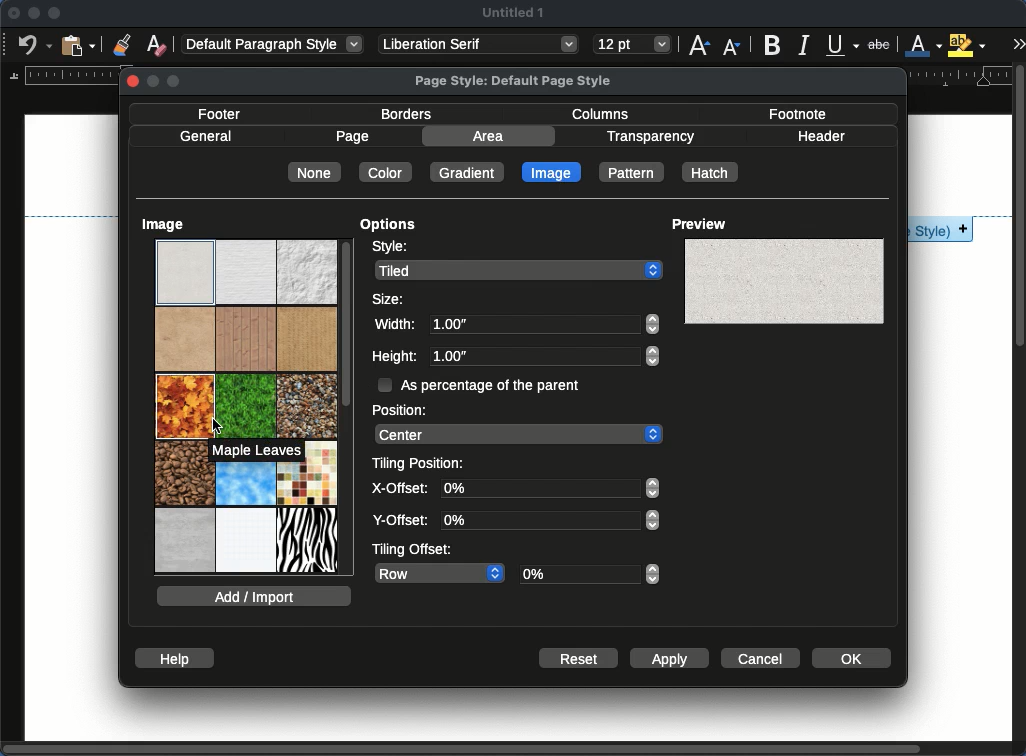 Image resolution: width=1026 pixels, height=756 pixels. I want to click on 0%, so click(550, 488).